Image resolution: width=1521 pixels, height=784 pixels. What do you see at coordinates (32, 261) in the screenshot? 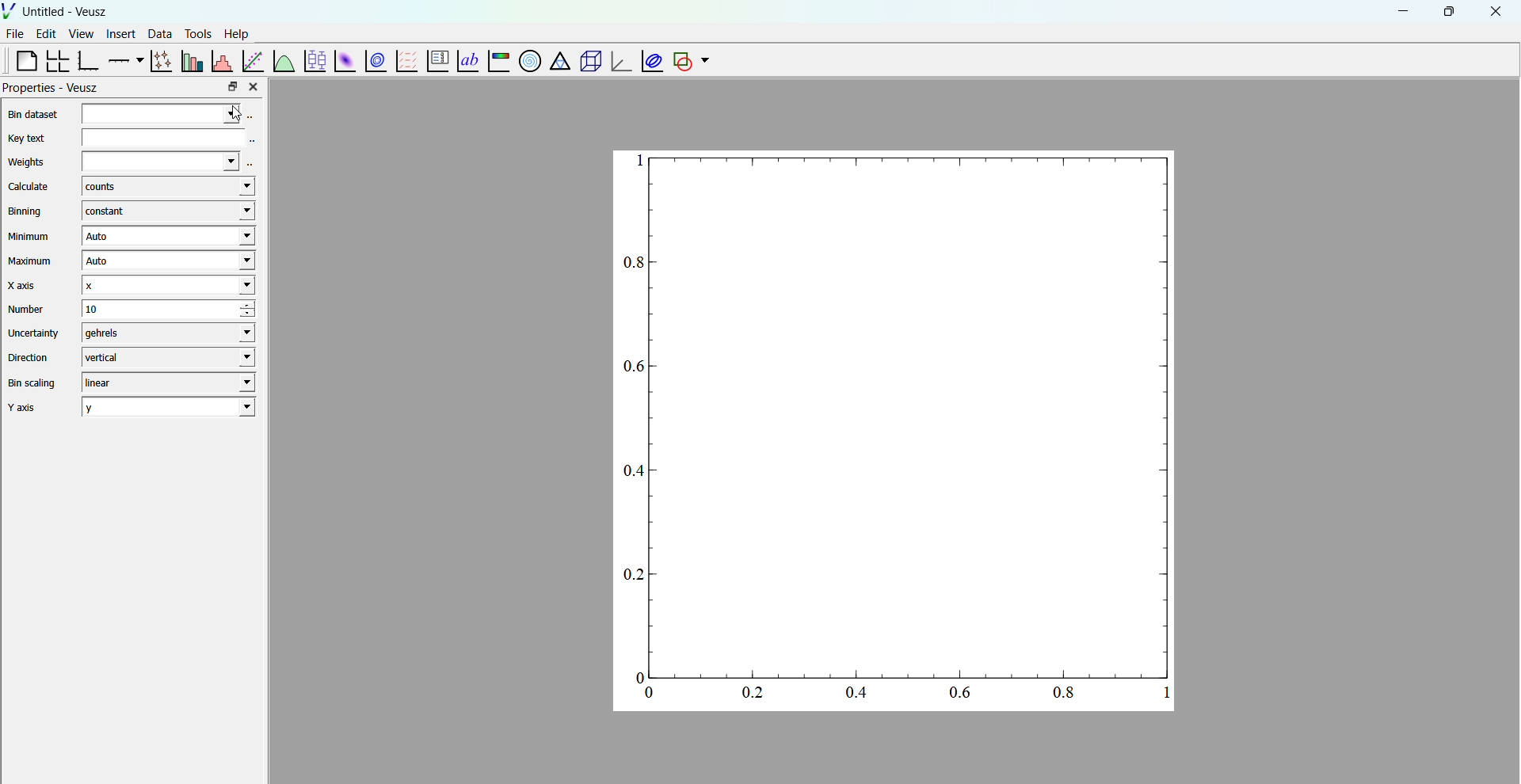
I see `Maximum` at bounding box center [32, 261].